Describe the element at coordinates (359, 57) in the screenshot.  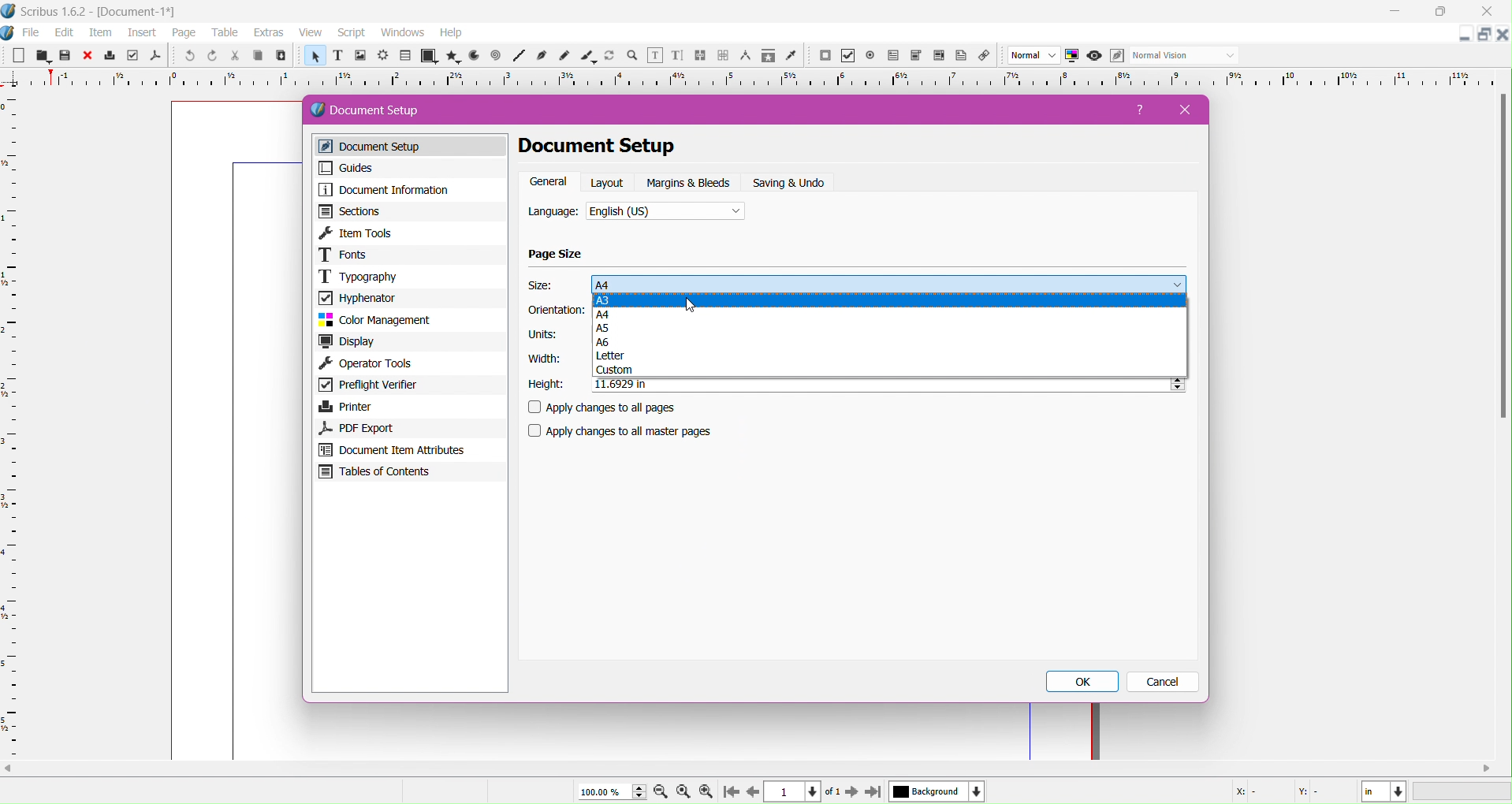
I see `image frame` at that location.